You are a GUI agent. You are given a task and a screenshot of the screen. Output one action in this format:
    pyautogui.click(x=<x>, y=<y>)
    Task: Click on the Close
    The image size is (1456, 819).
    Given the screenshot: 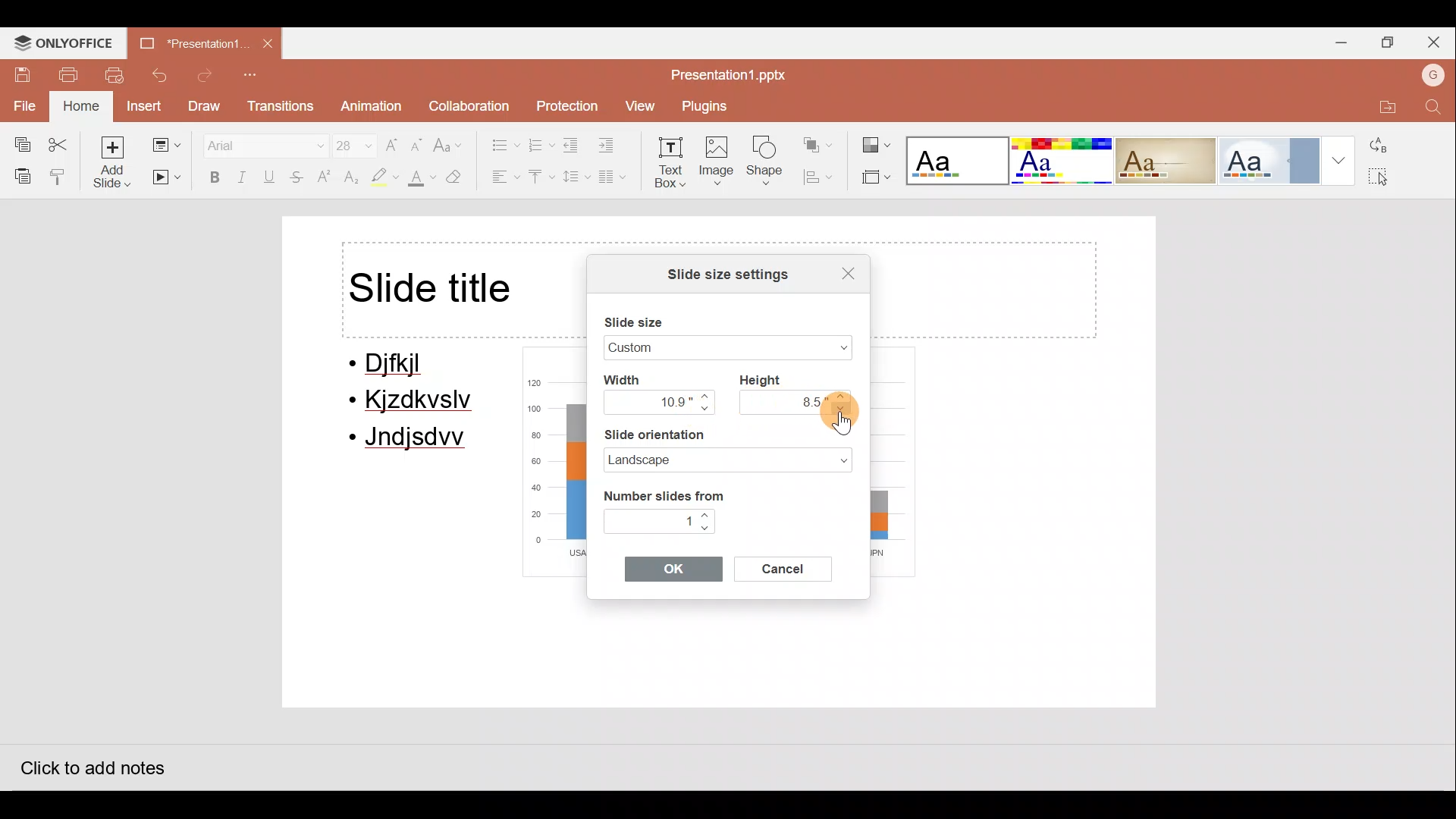 What is the action you would take?
    pyautogui.click(x=841, y=271)
    